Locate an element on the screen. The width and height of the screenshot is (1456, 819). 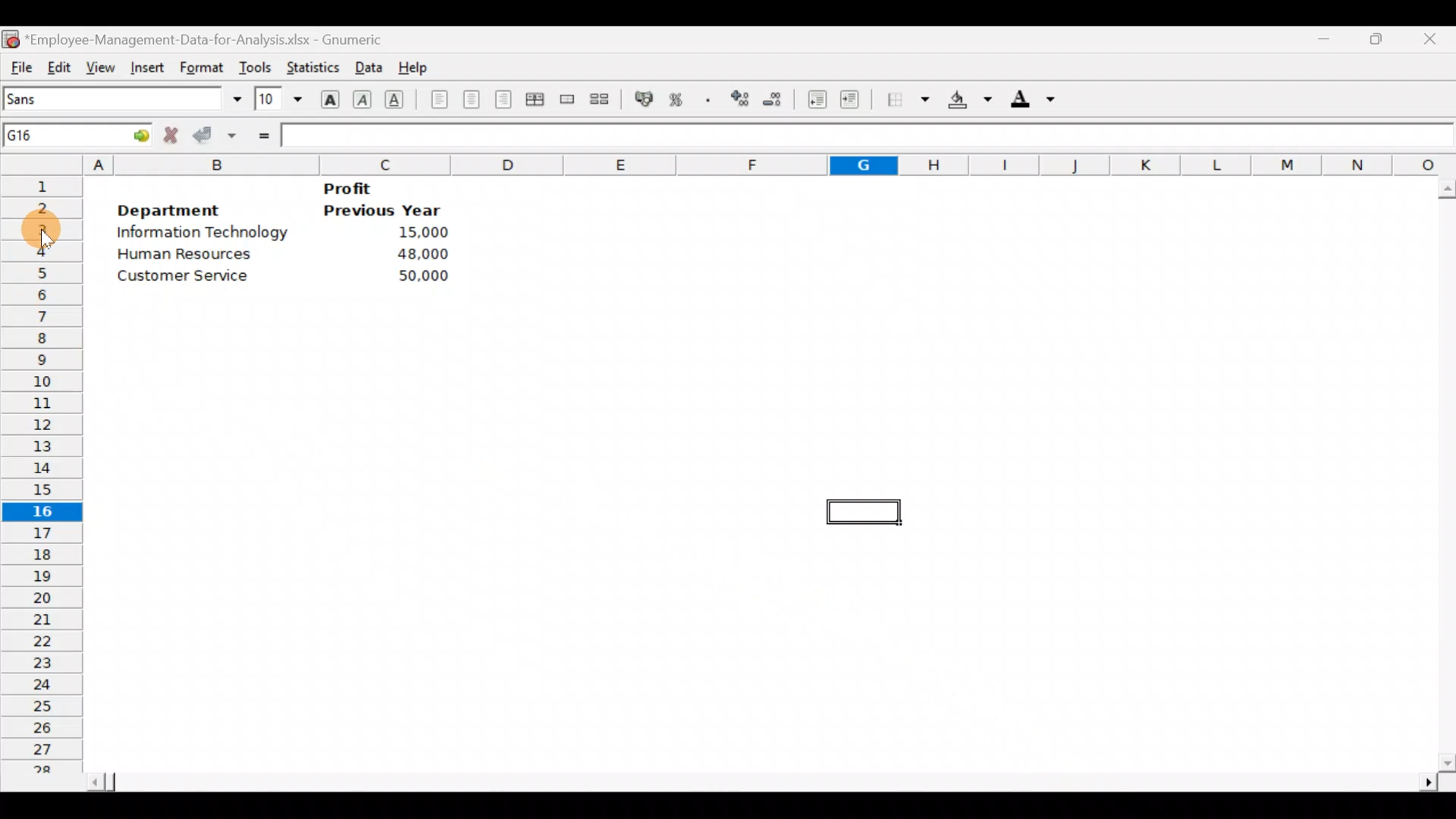
File is located at coordinates (20, 65).